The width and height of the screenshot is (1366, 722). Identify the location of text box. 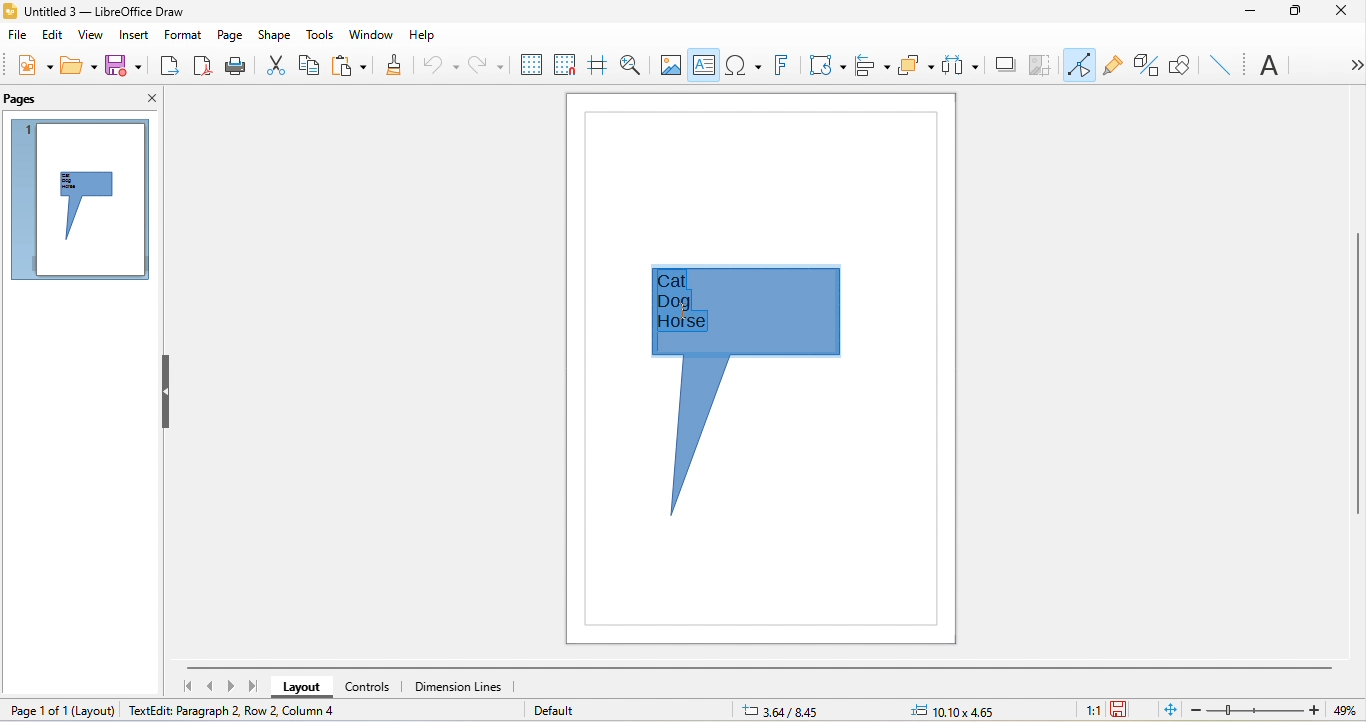
(704, 67).